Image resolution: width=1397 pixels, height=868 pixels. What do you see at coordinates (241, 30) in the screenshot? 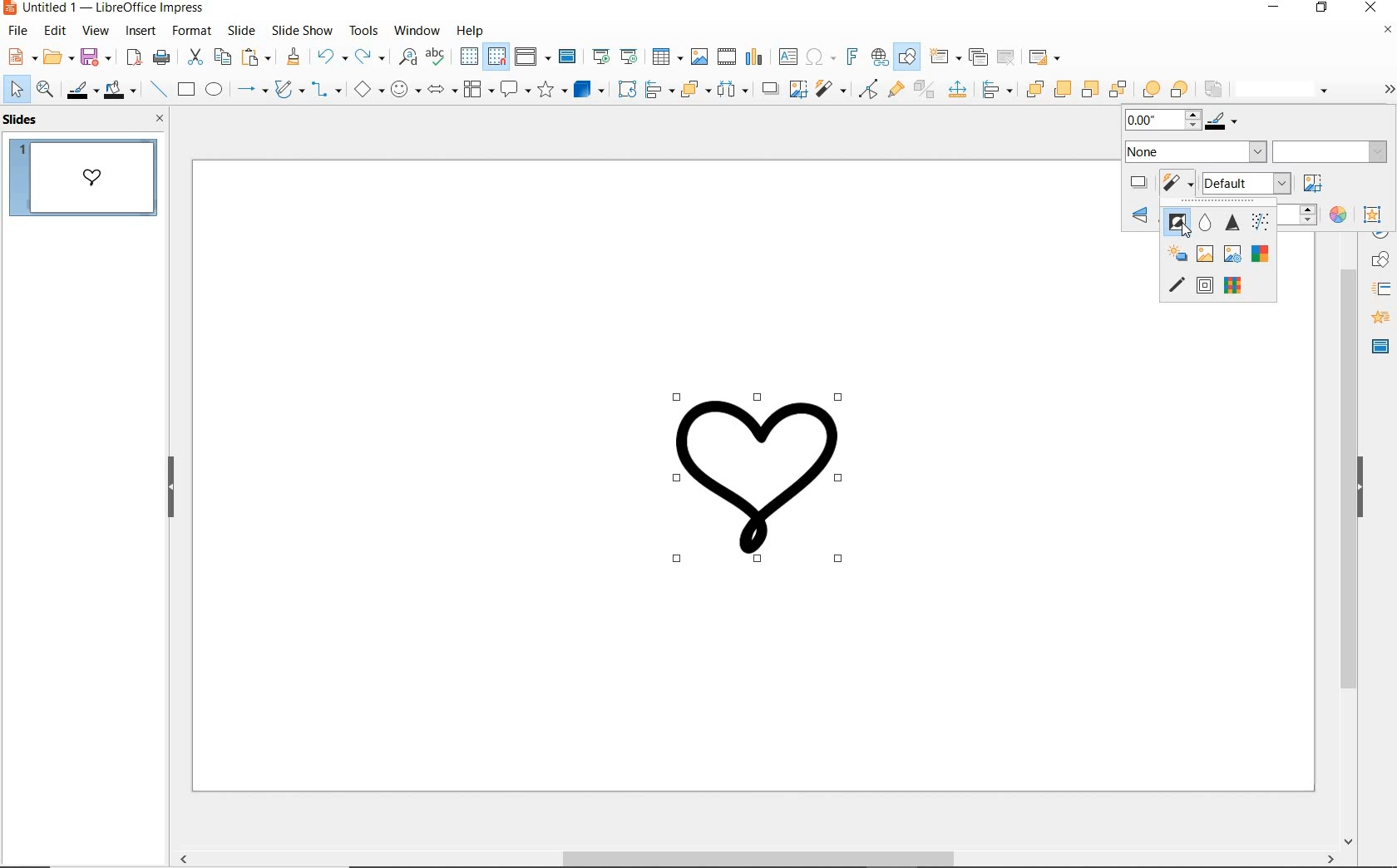
I see `slide` at bounding box center [241, 30].